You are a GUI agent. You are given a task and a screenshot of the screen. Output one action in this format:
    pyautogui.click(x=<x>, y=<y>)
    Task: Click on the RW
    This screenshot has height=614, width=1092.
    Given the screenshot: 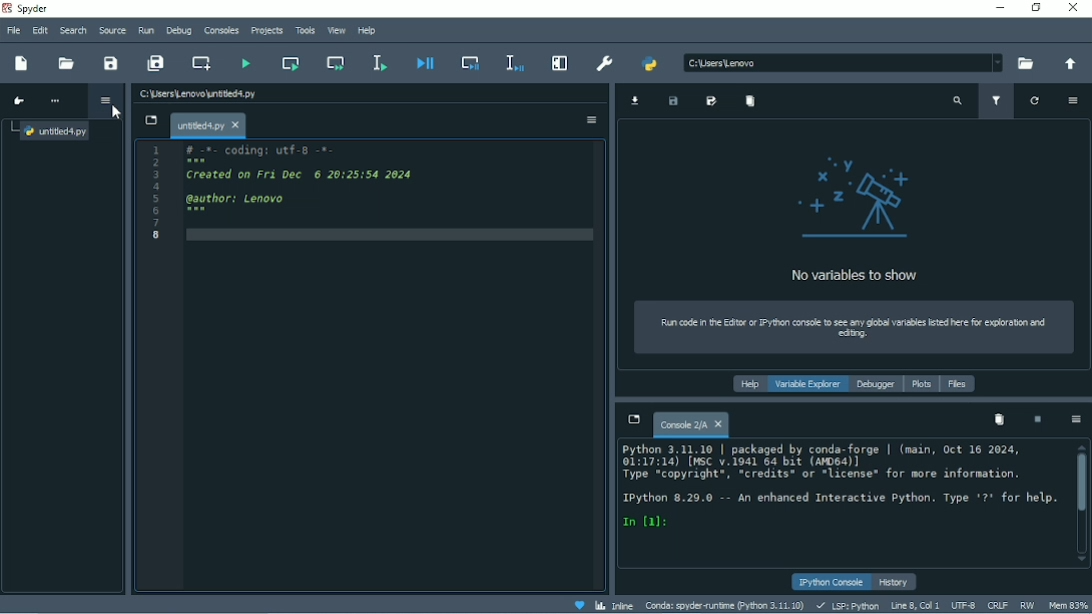 What is the action you would take?
    pyautogui.click(x=1028, y=605)
    